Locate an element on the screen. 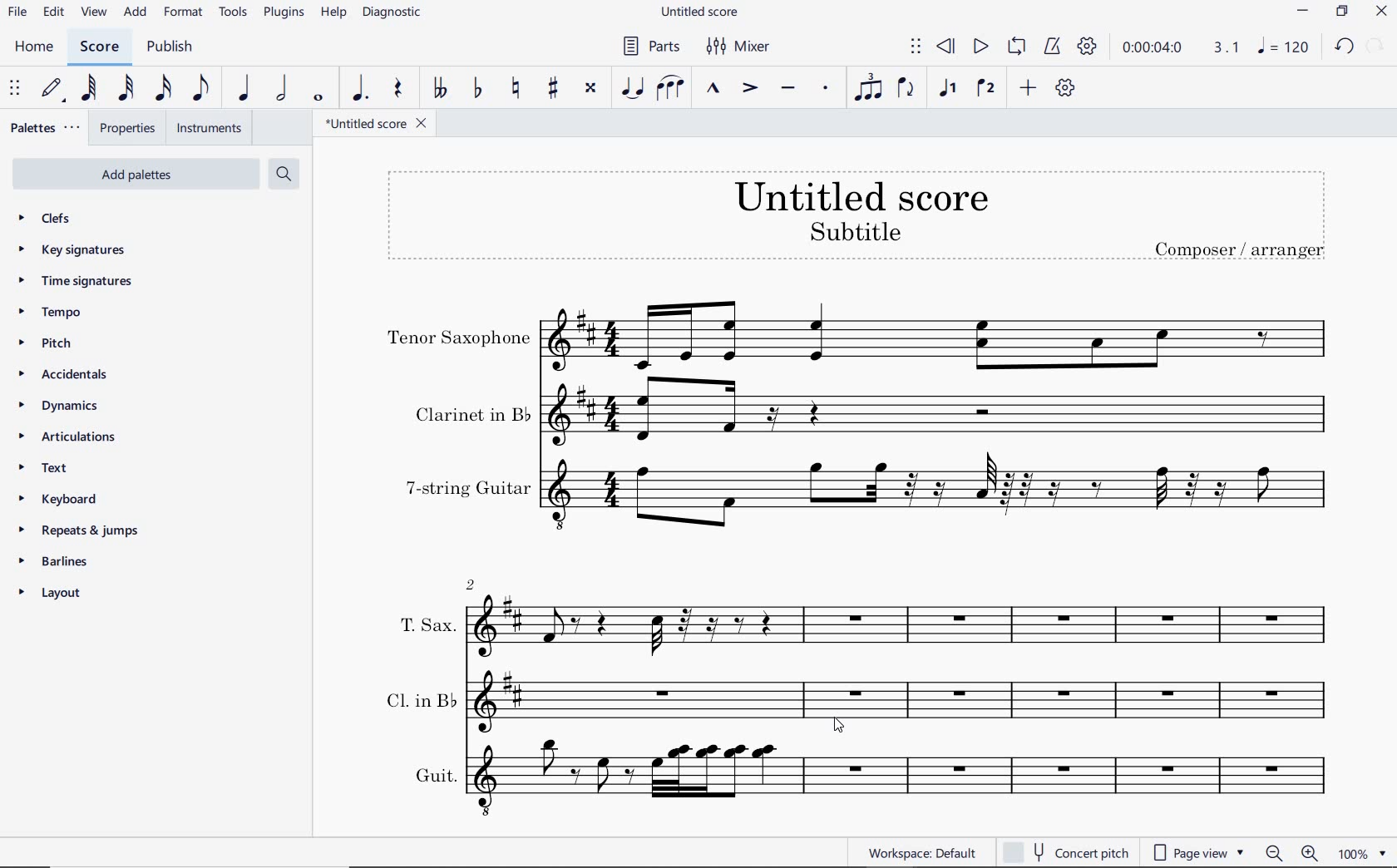 The image size is (1397, 868). accidentals is located at coordinates (67, 377).